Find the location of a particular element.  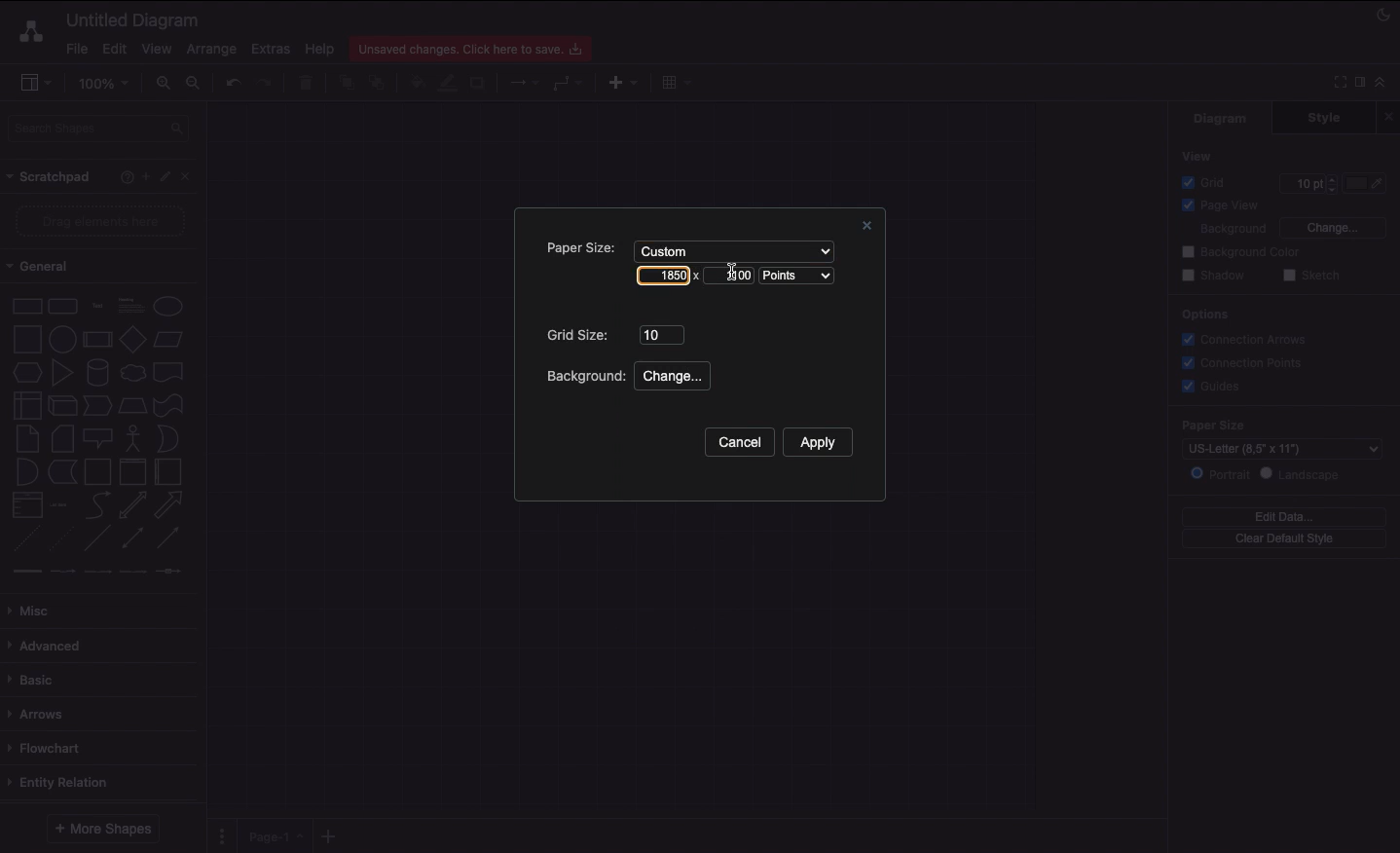

Untitled diagram is located at coordinates (133, 19).